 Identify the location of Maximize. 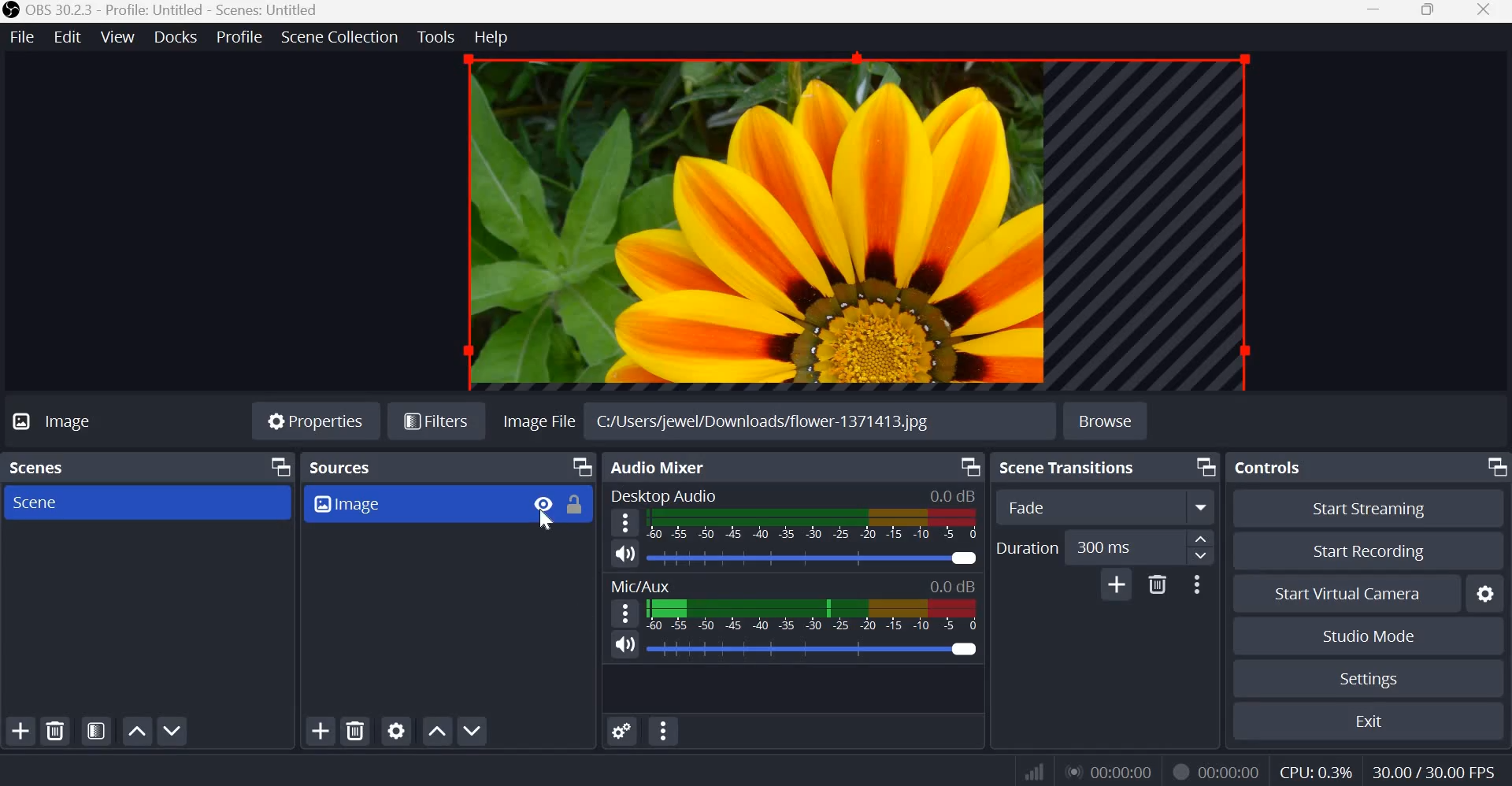
(1431, 11).